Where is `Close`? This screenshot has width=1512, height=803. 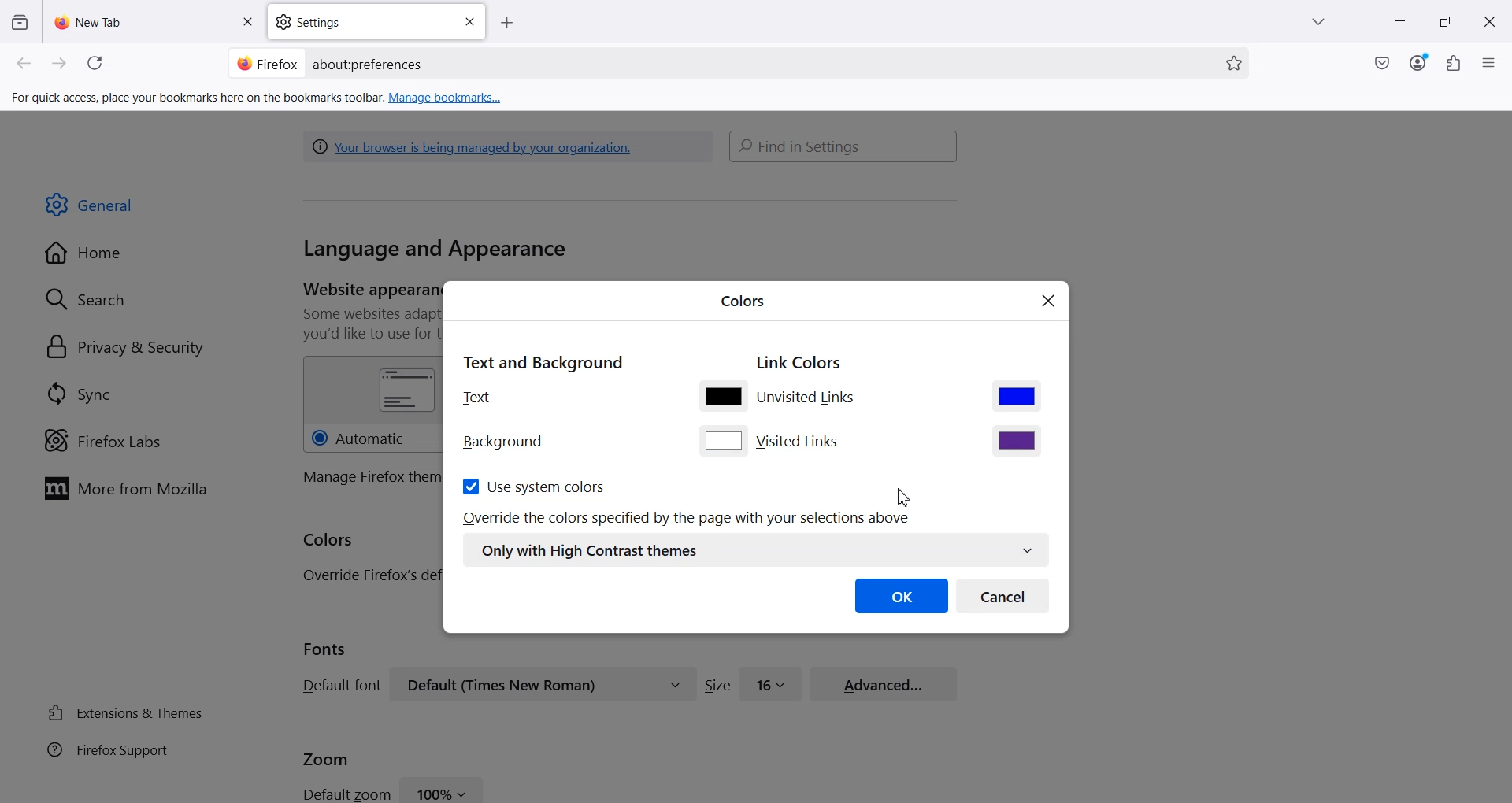 Close is located at coordinates (1049, 302).